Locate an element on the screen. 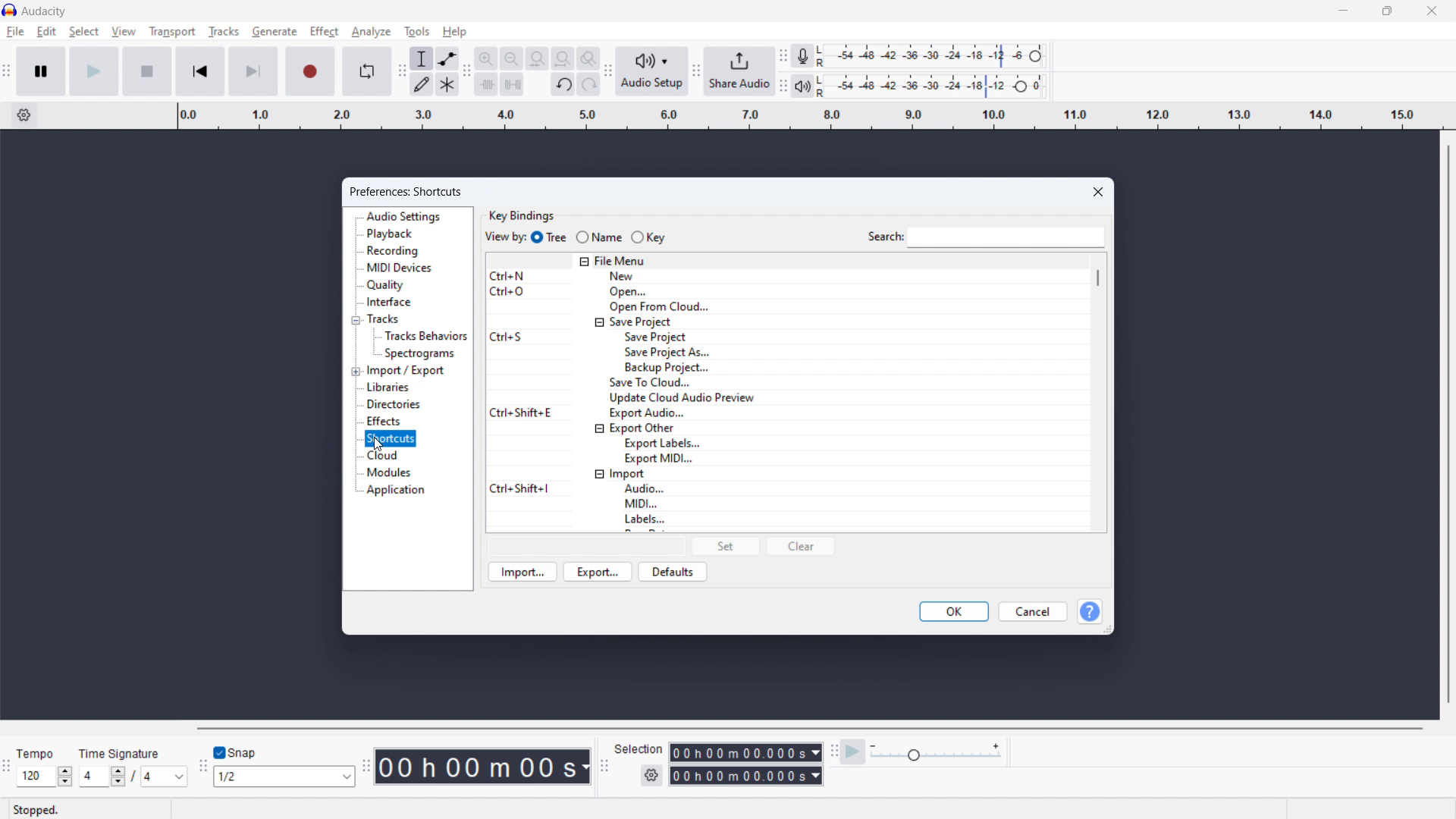  quality is located at coordinates (386, 284).